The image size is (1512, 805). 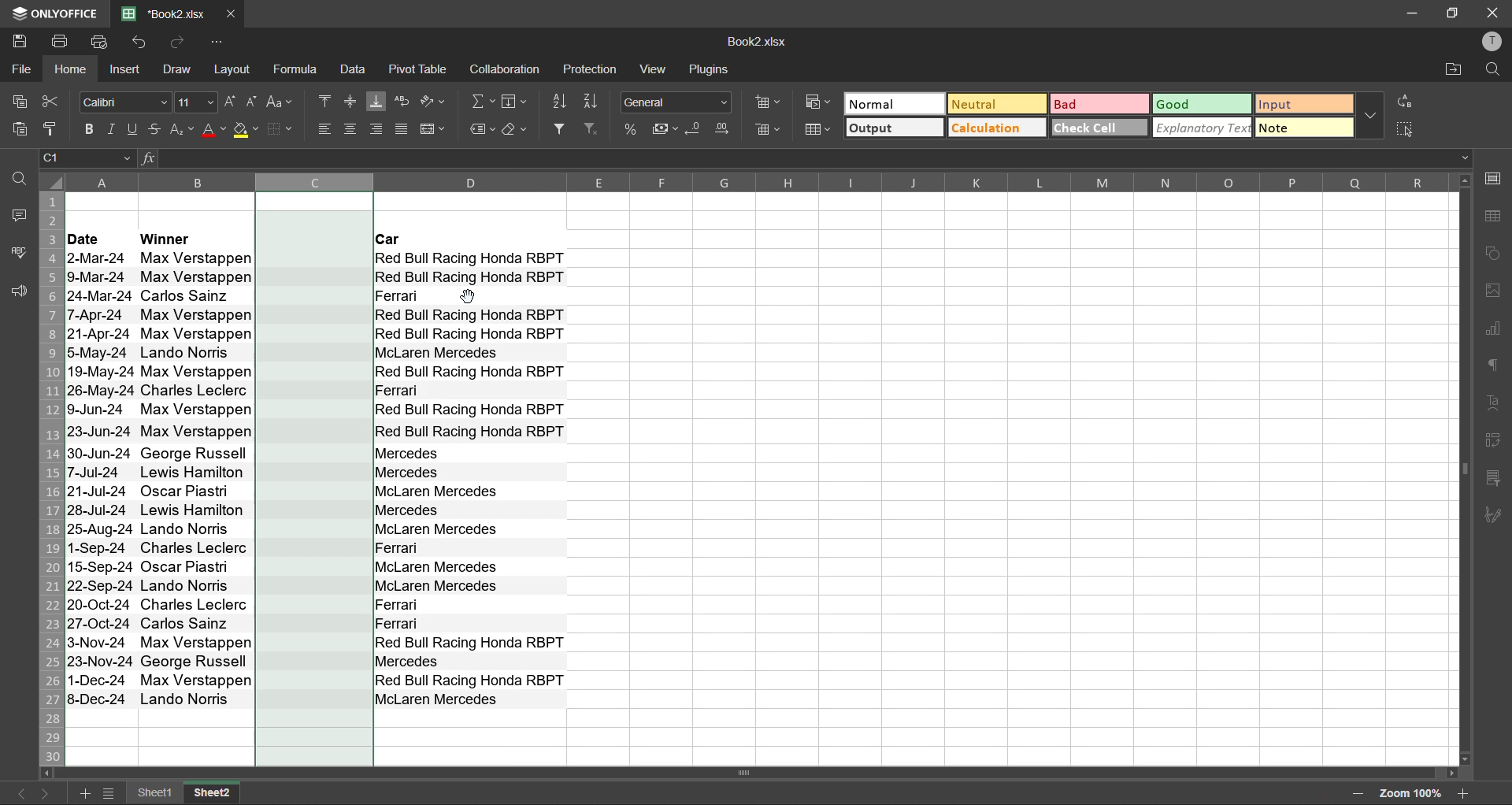 What do you see at coordinates (480, 103) in the screenshot?
I see `summation` at bounding box center [480, 103].